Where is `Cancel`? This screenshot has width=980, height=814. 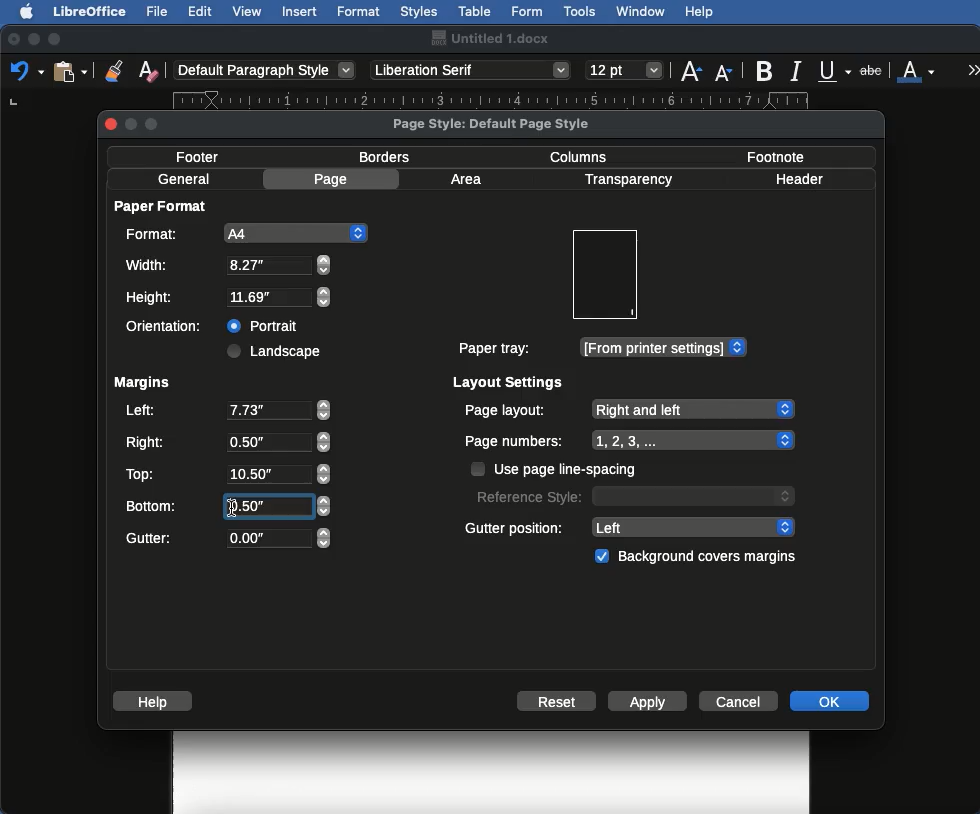 Cancel is located at coordinates (741, 700).